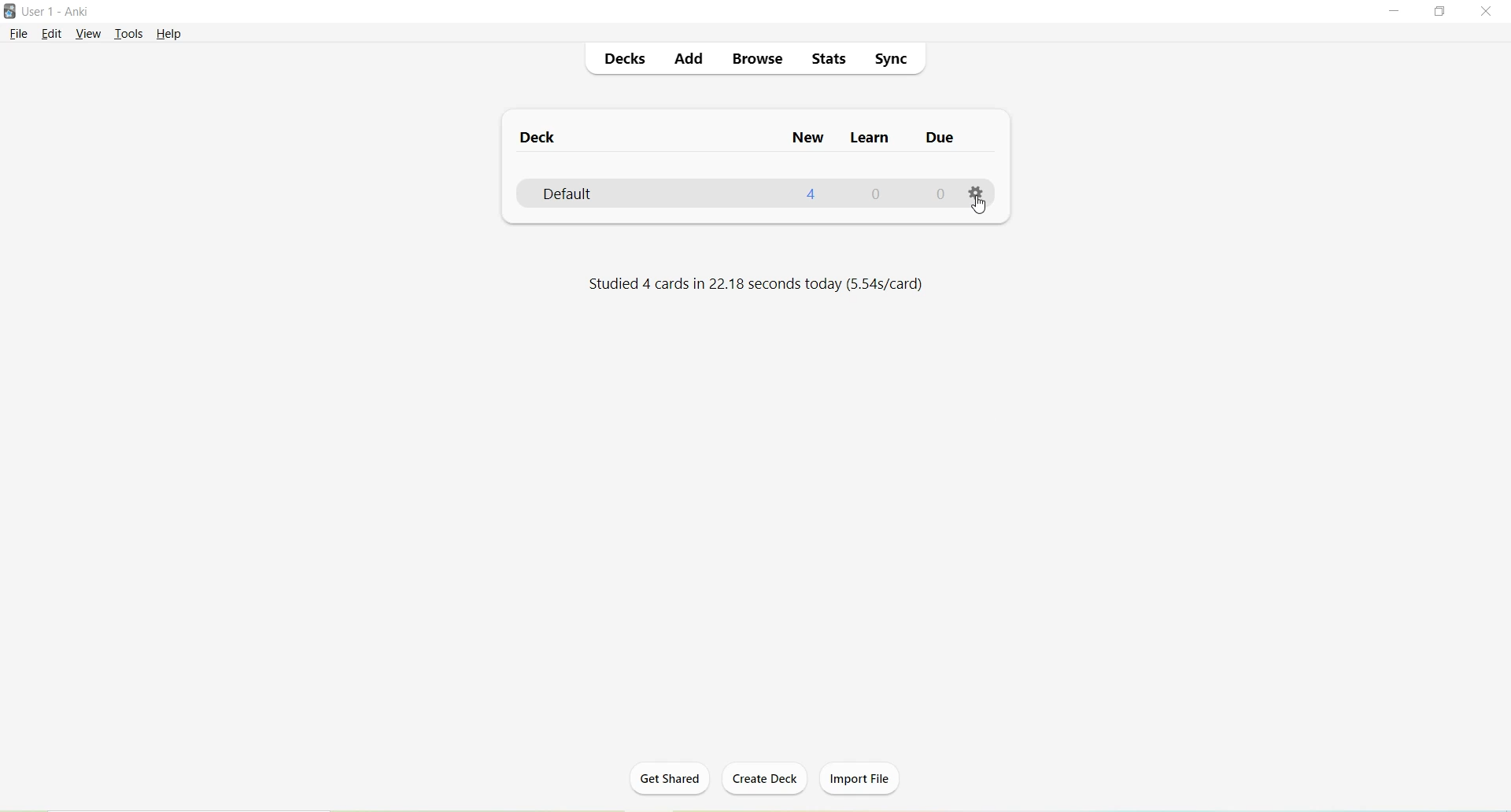  Describe the element at coordinates (937, 196) in the screenshot. I see `0` at that location.